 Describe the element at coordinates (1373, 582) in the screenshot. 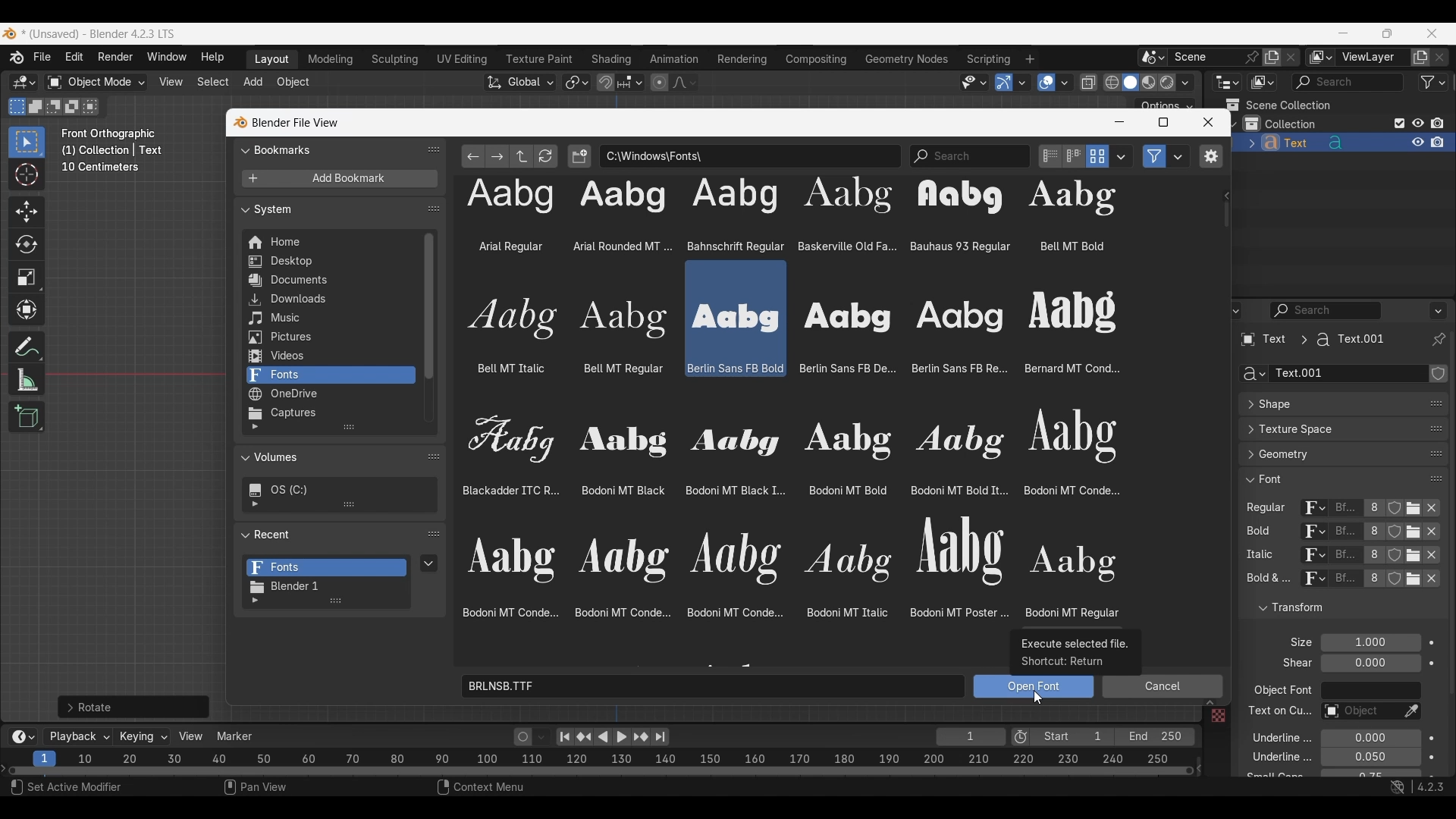

I see `Display number of users` at that location.